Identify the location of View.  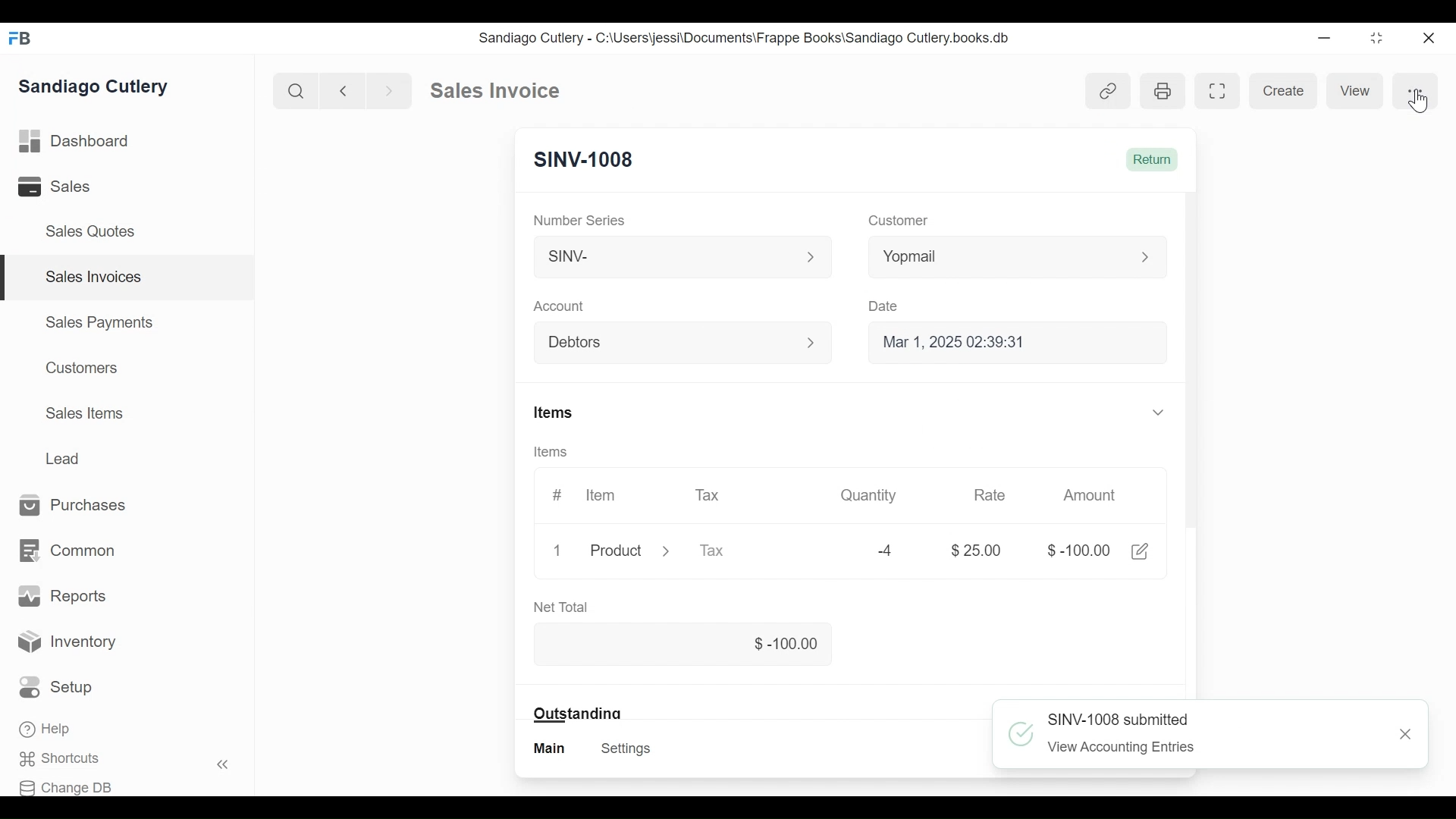
(1359, 90).